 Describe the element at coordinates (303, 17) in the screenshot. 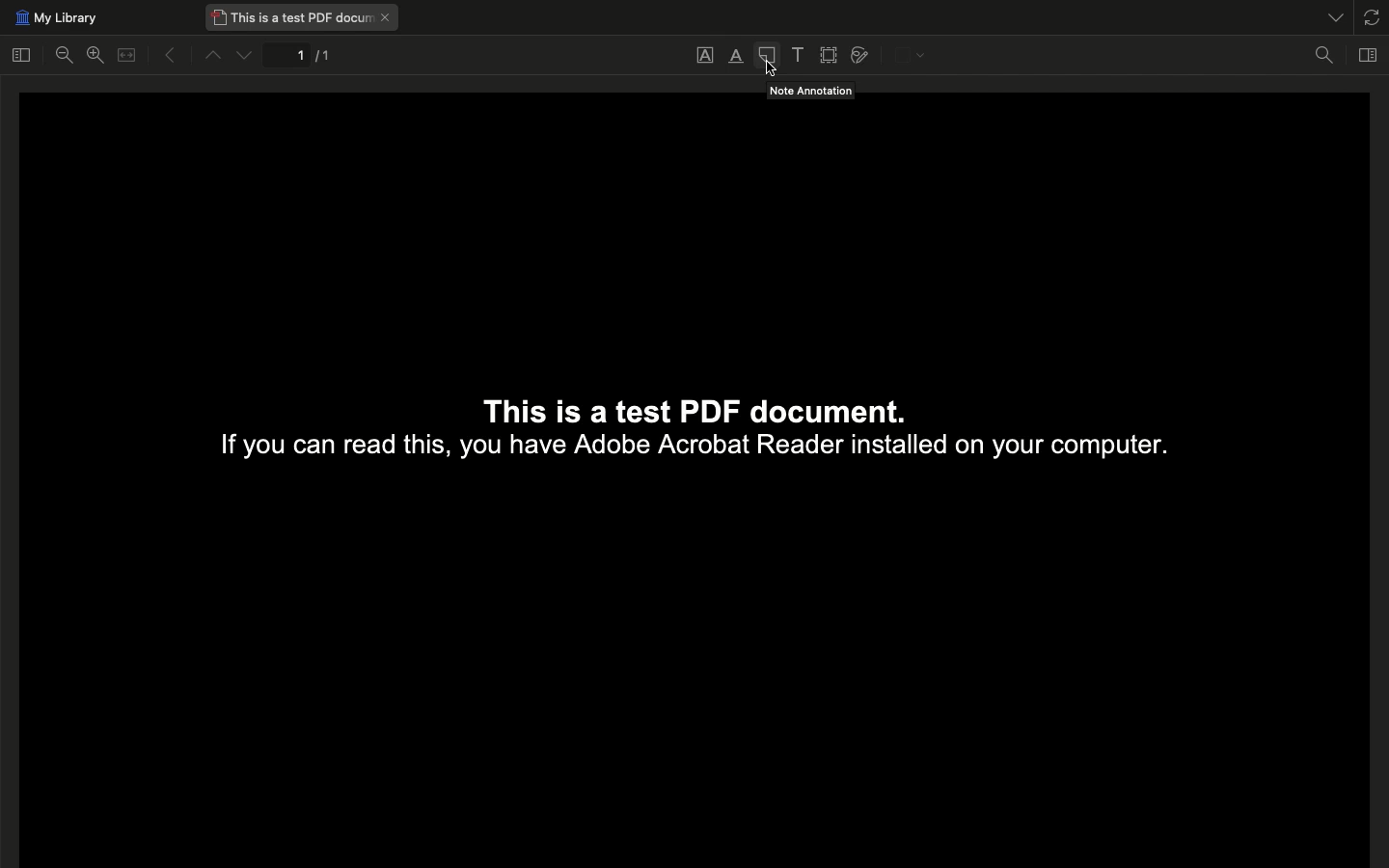

I see `This is a test PDF document` at that location.